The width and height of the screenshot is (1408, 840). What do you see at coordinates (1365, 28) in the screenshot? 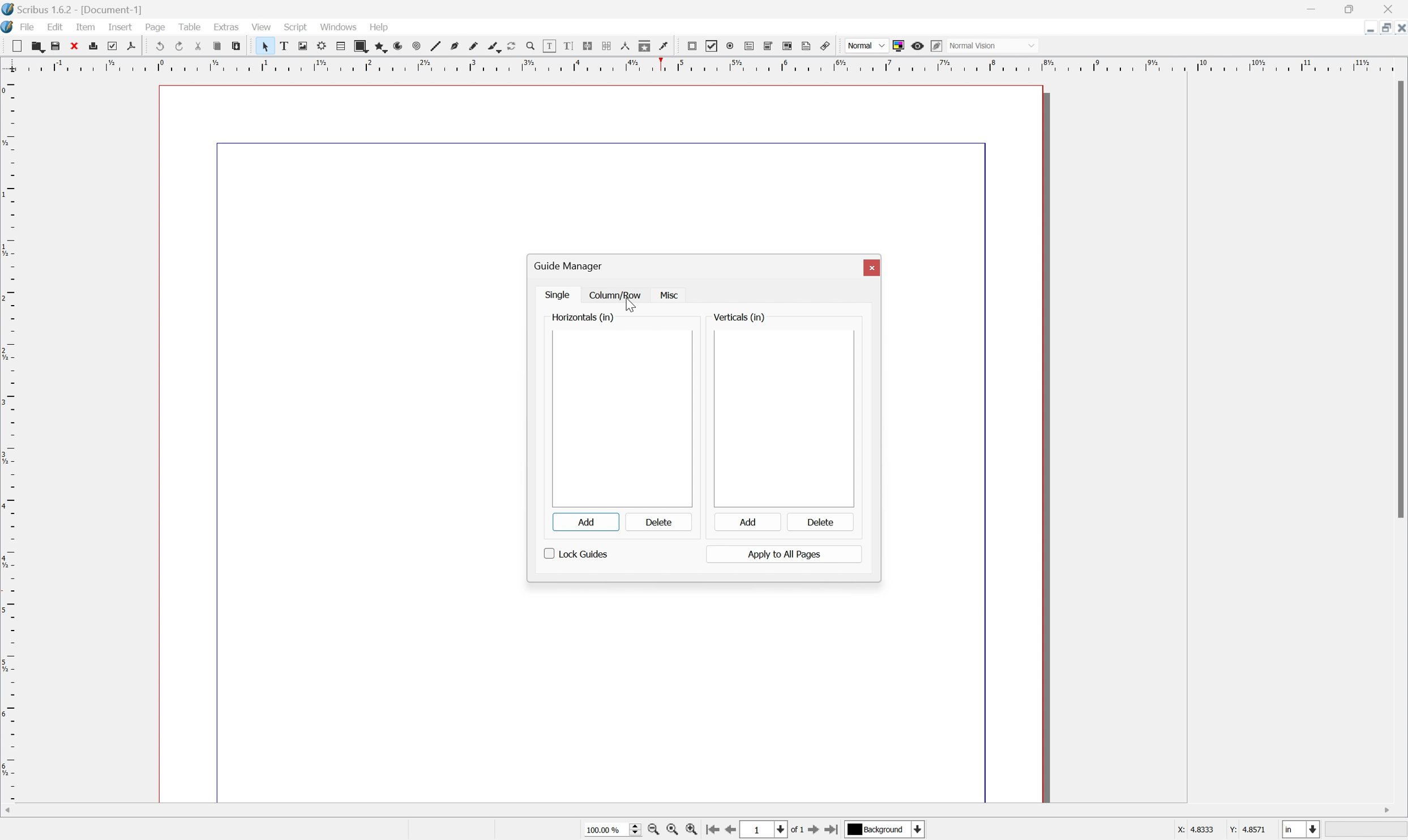
I see `minimize` at bounding box center [1365, 28].